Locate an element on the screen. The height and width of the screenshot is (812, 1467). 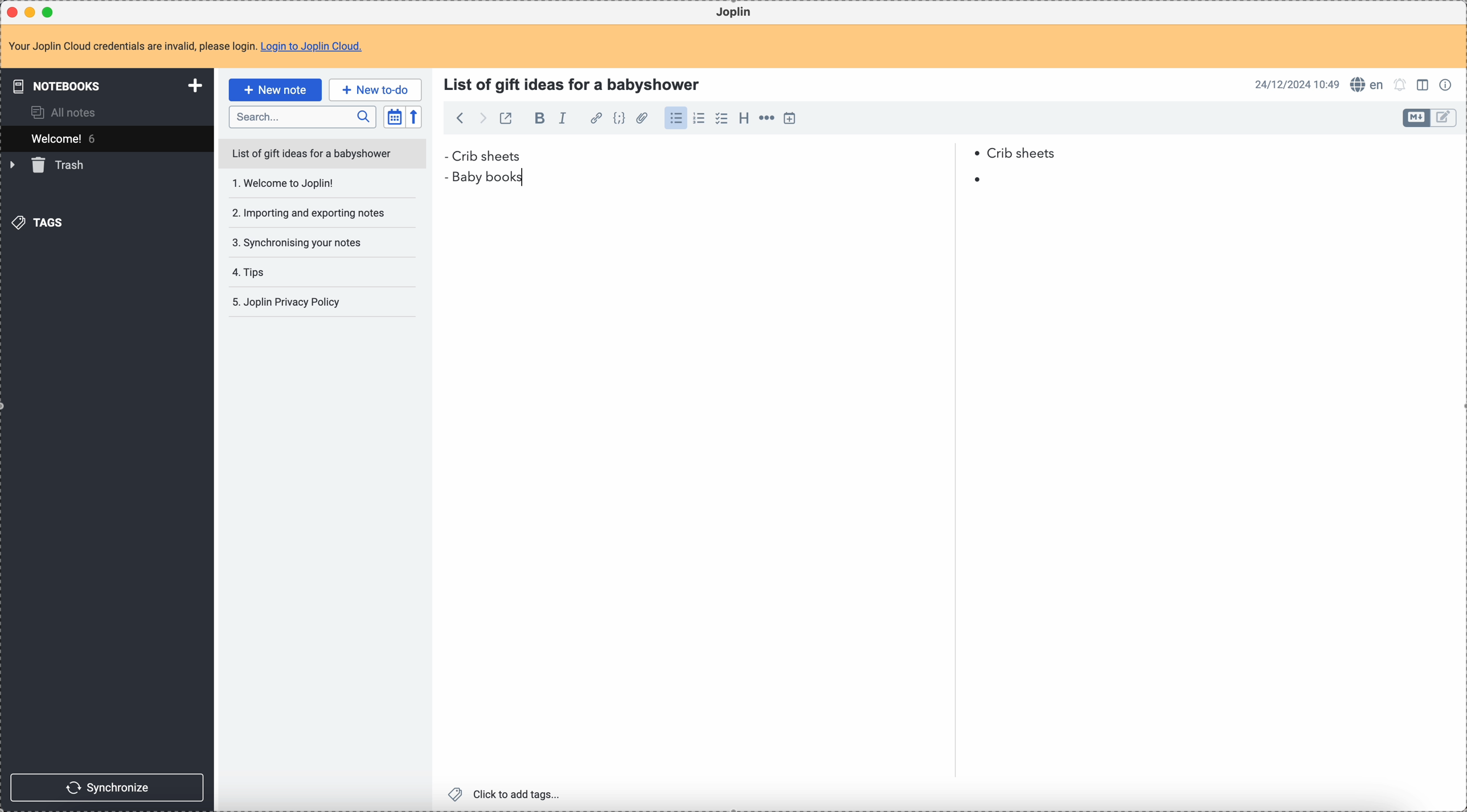
bullet point is located at coordinates (977, 180).